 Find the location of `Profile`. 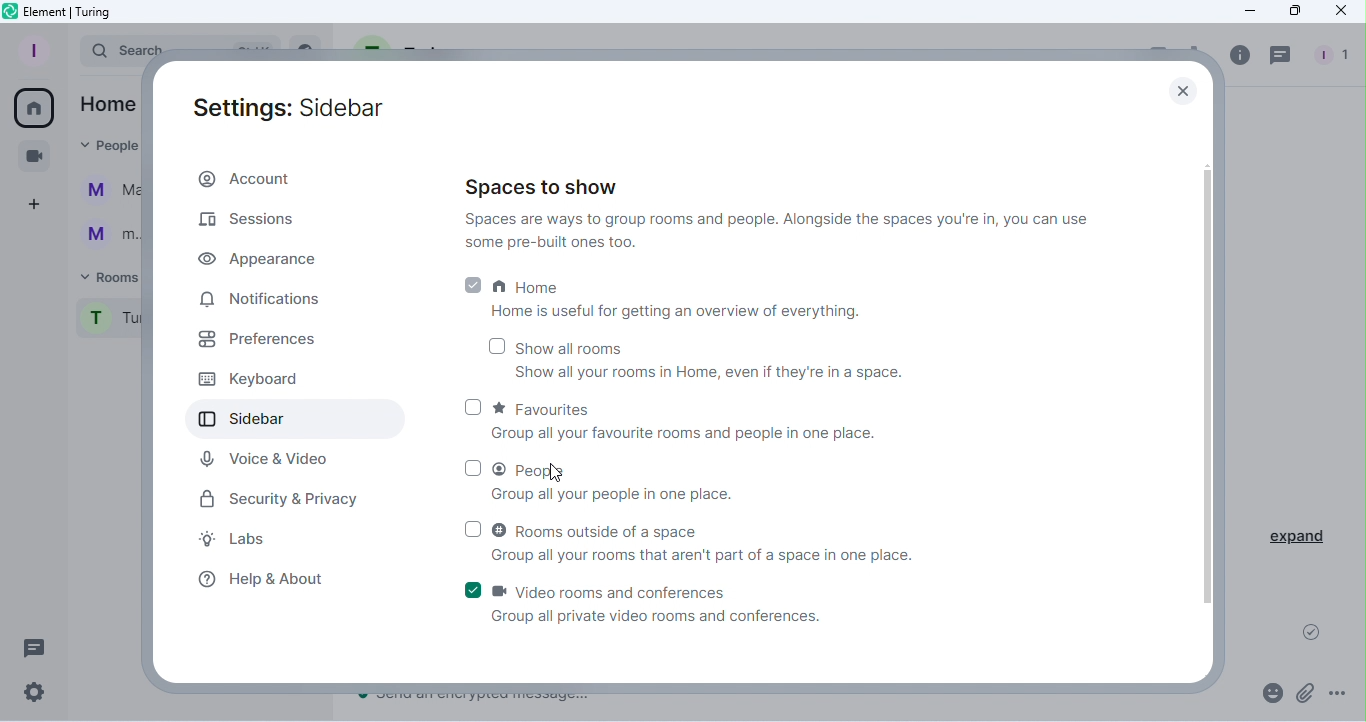

Profile is located at coordinates (34, 49).